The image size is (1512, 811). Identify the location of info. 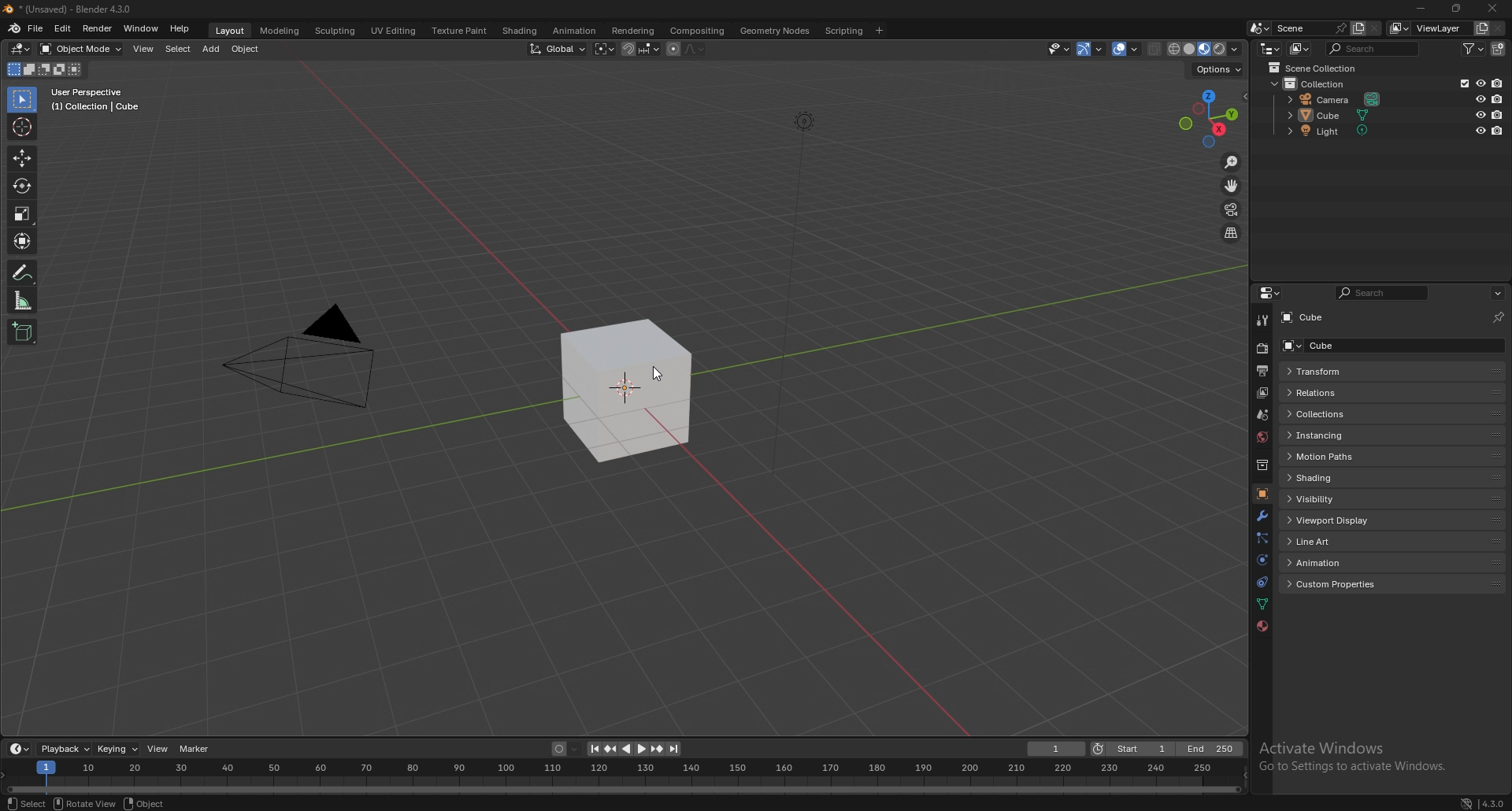
(98, 99).